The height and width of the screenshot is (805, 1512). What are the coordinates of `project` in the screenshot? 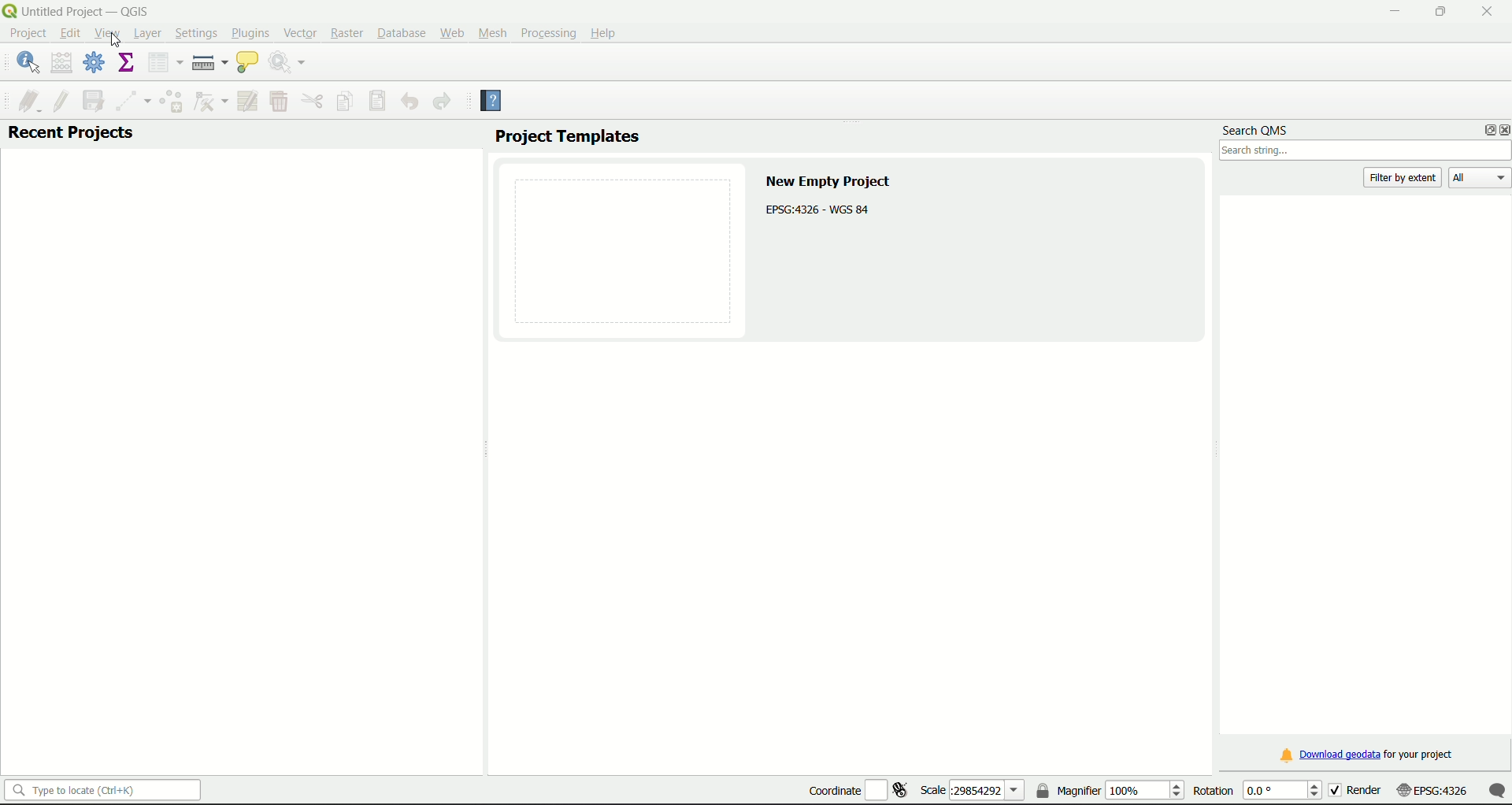 It's located at (29, 35).